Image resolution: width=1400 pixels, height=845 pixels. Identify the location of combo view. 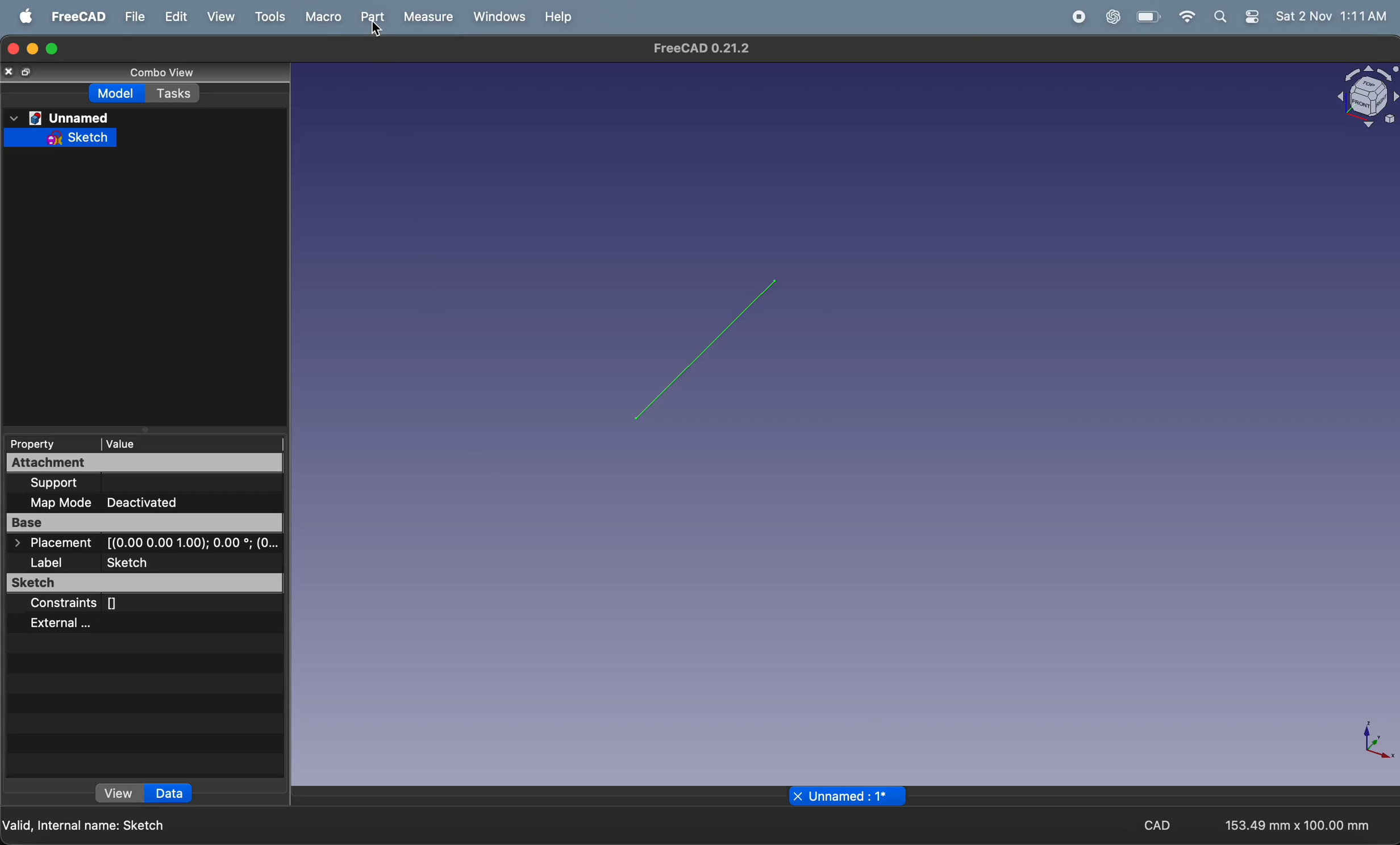
(170, 73).